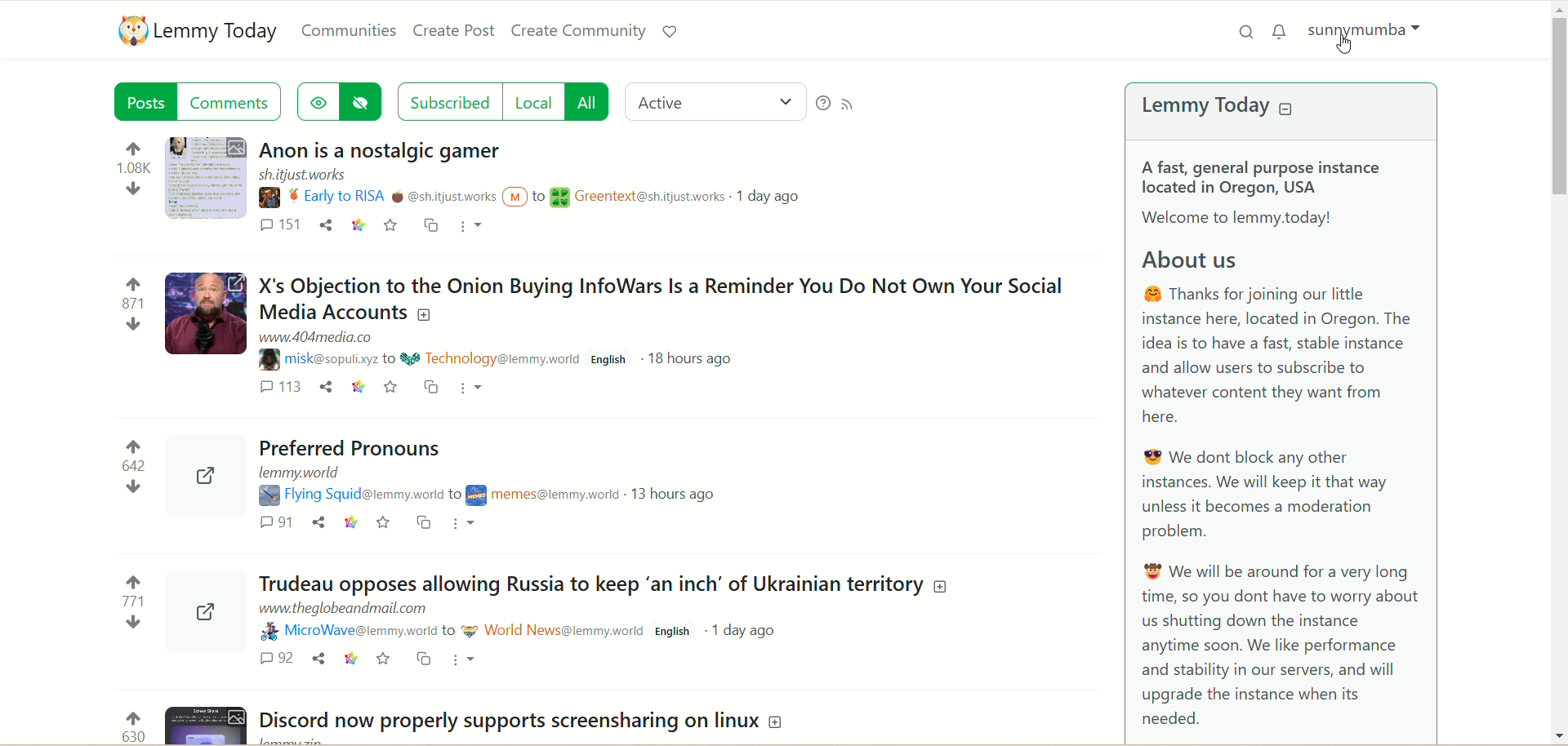 Image resolution: width=1568 pixels, height=746 pixels. What do you see at coordinates (1239, 36) in the screenshot?
I see `search` at bounding box center [1239, 36].